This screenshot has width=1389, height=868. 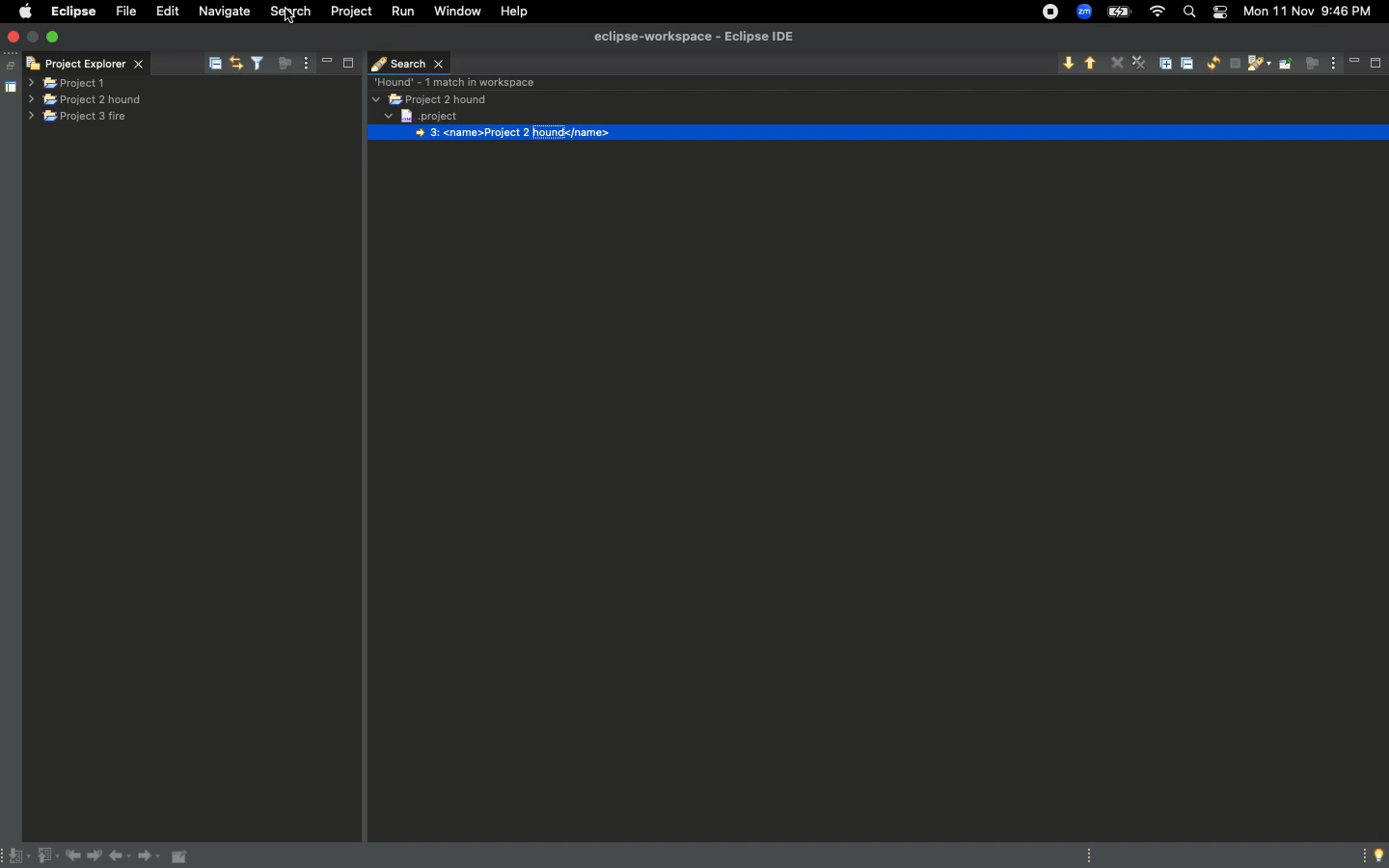 I want to click on Hound - 1 match in workspace, so click(x=459, y=81).